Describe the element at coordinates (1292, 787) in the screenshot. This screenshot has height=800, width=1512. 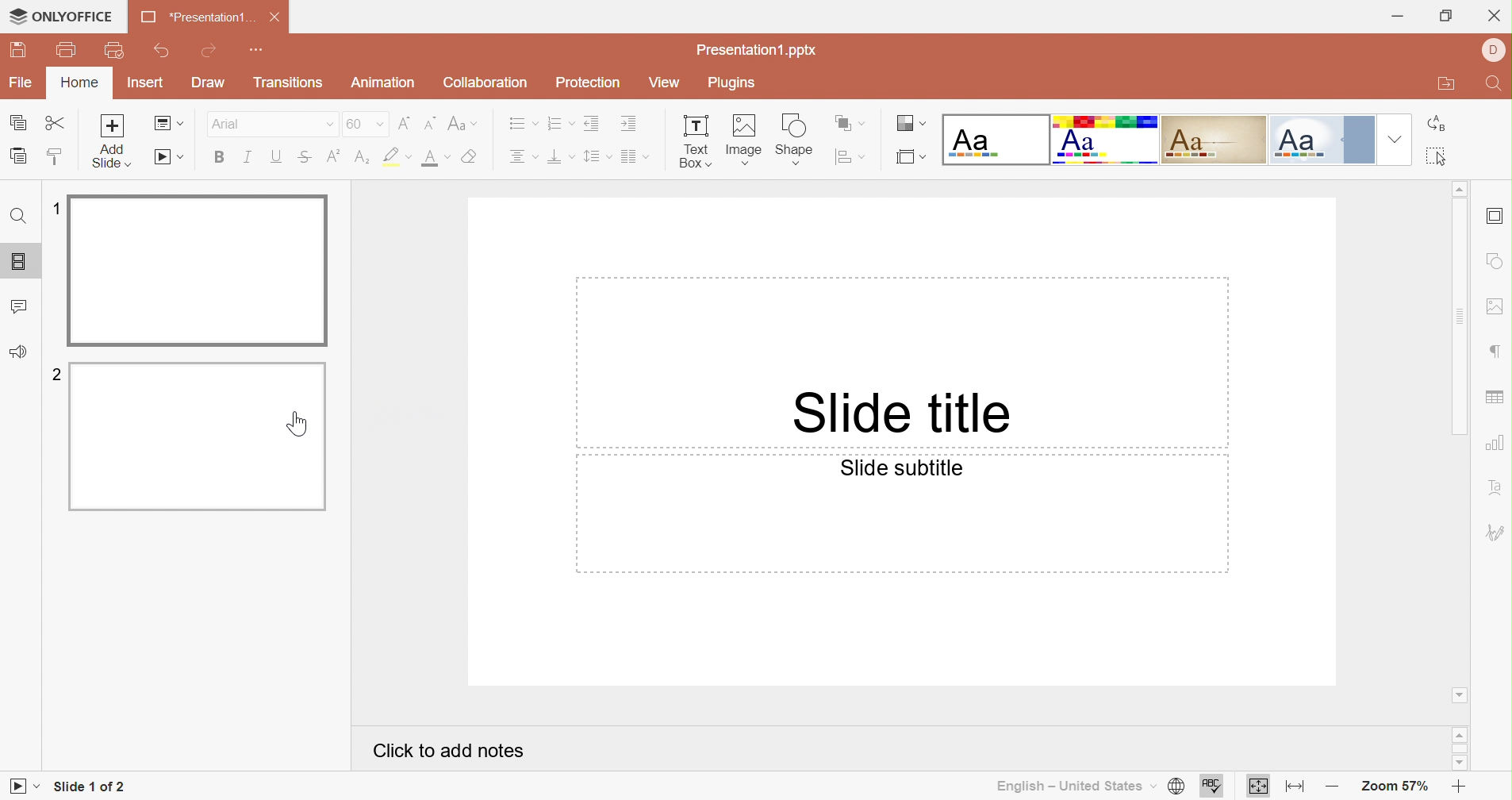
I see `Fit to width` at that location.